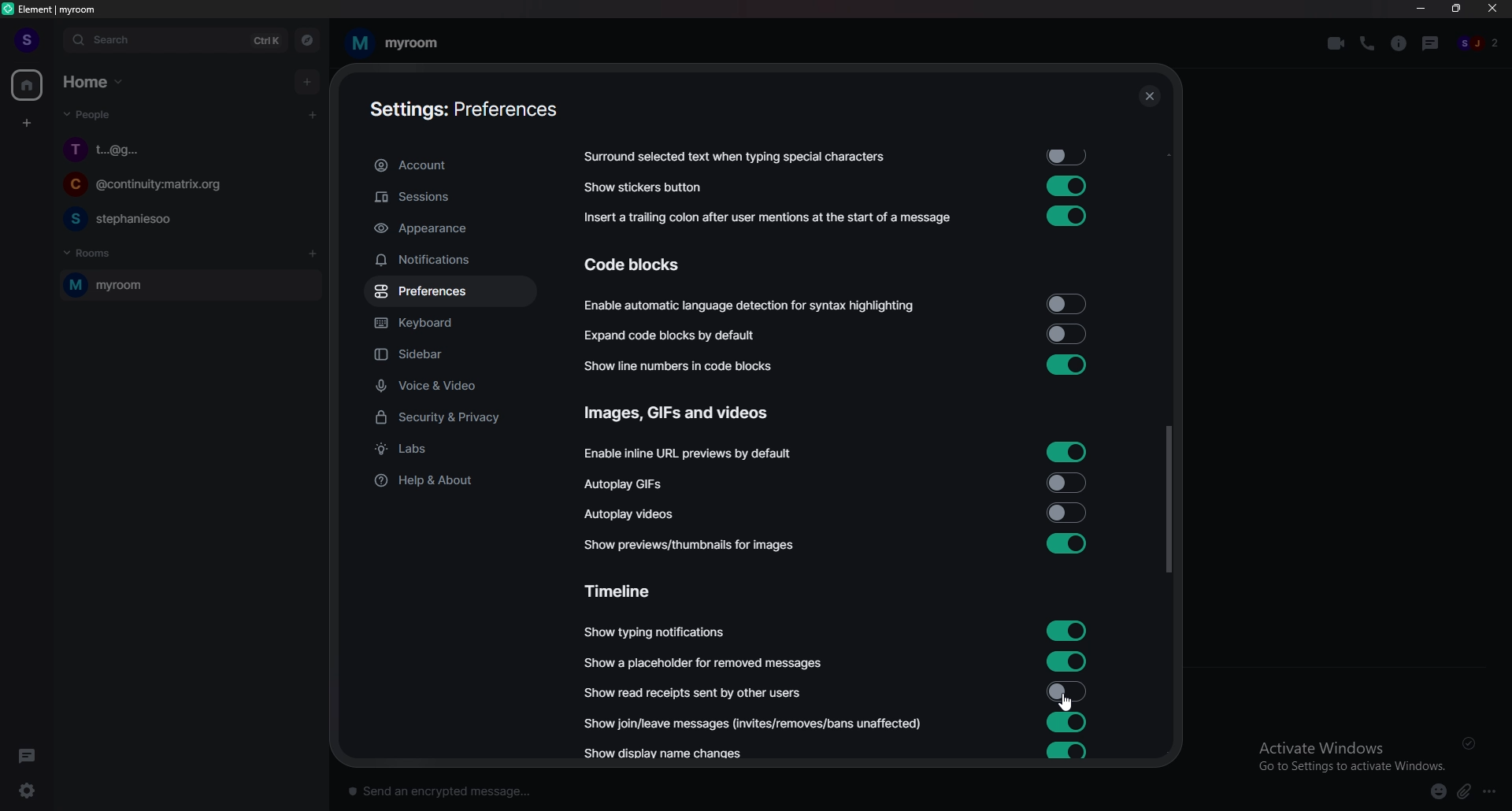 Image resolution: width=1512 pixels, height=811 pixels. Describe the element at coordinates (1071, 157) in the screenshot. I see `toggle` at that location.